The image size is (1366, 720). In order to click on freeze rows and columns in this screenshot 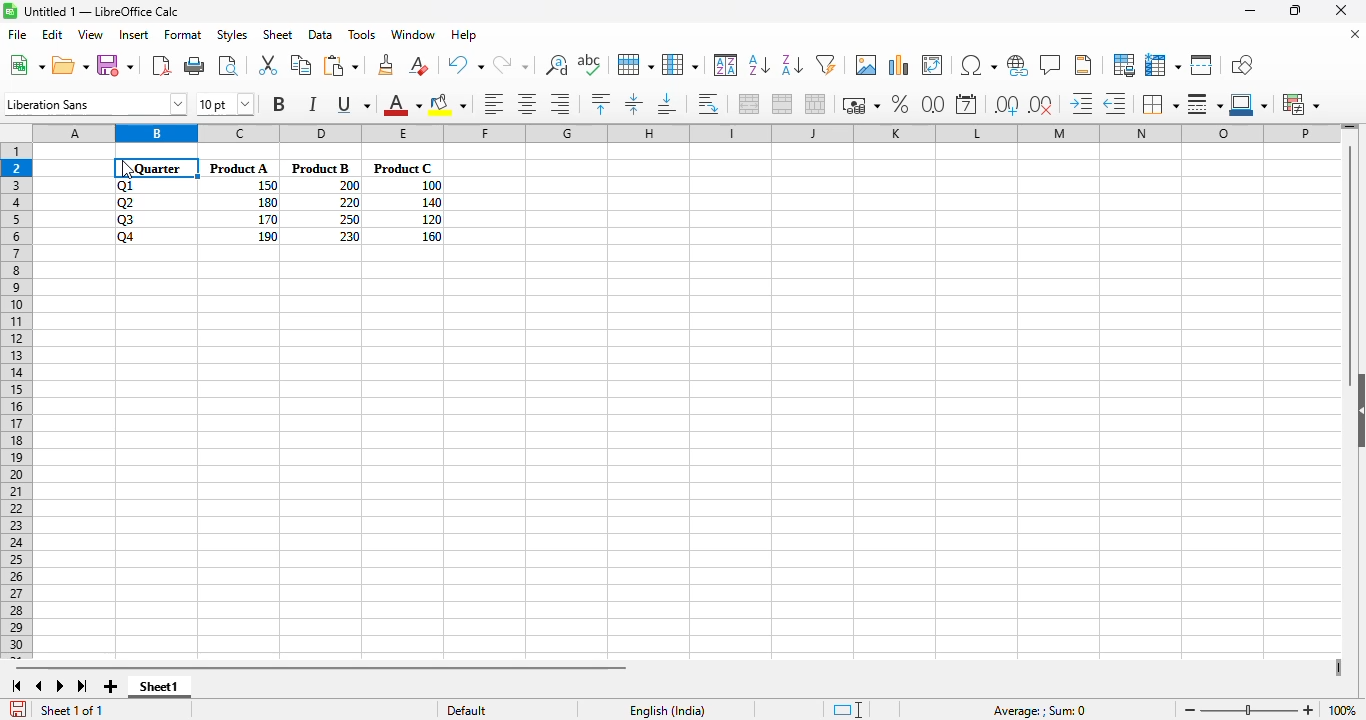, I will do `click(1163, 65)`.